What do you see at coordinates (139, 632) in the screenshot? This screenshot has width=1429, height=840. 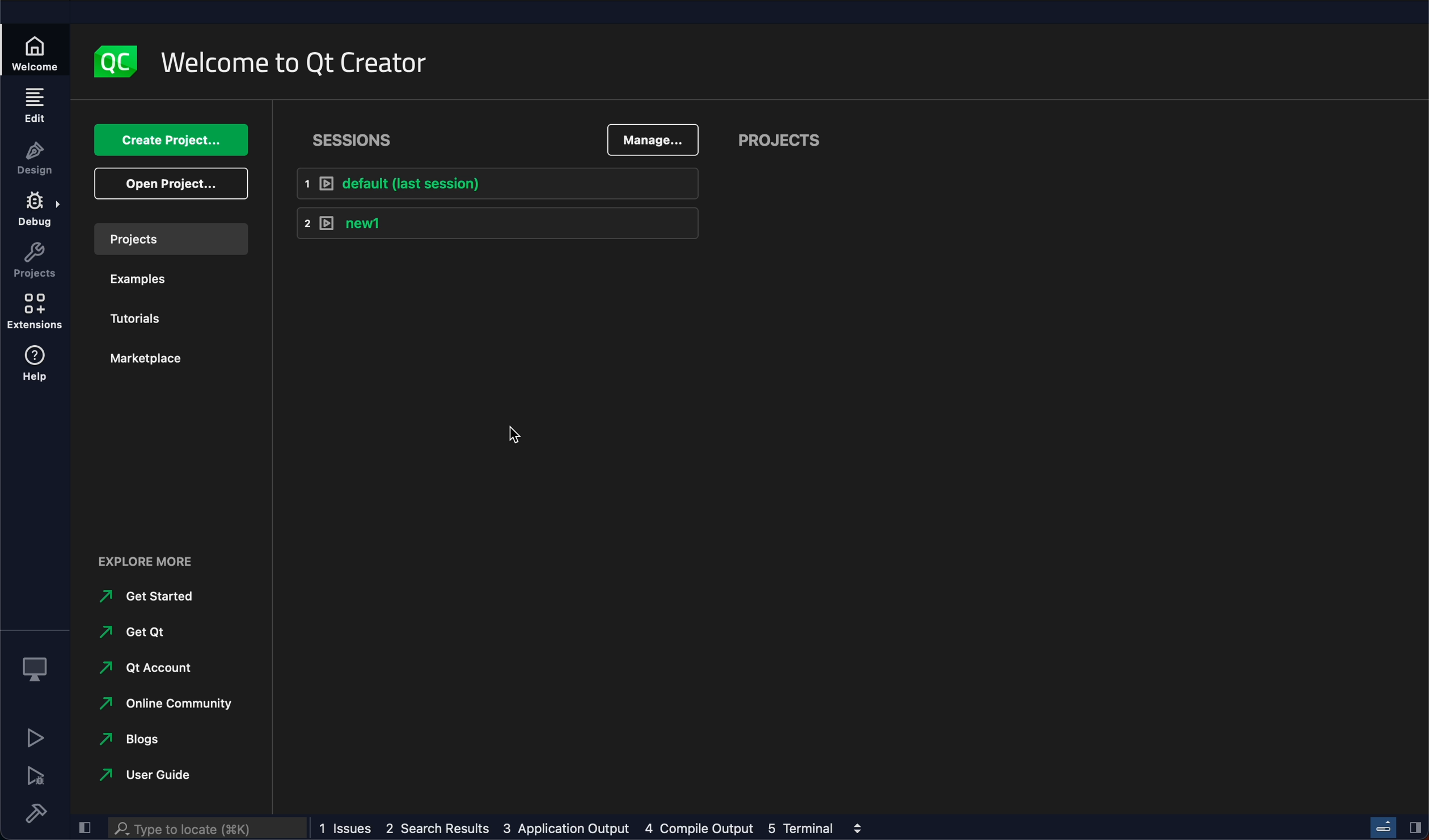 I see `get qt` at bounding box center [139, 632].